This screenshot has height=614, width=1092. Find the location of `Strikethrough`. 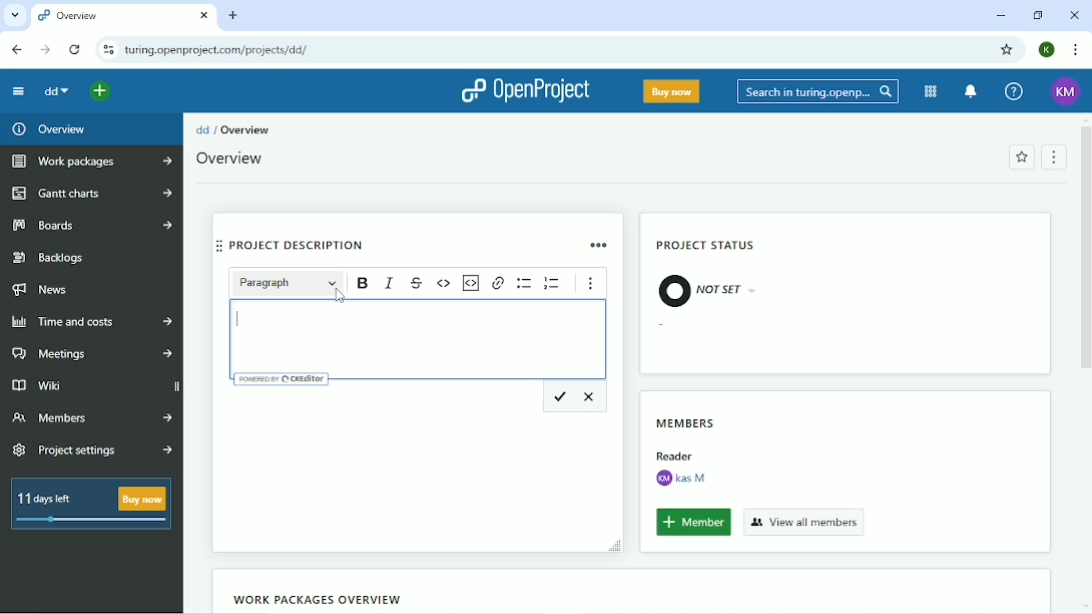

Strikethrough is located at coordinates (417, 283).